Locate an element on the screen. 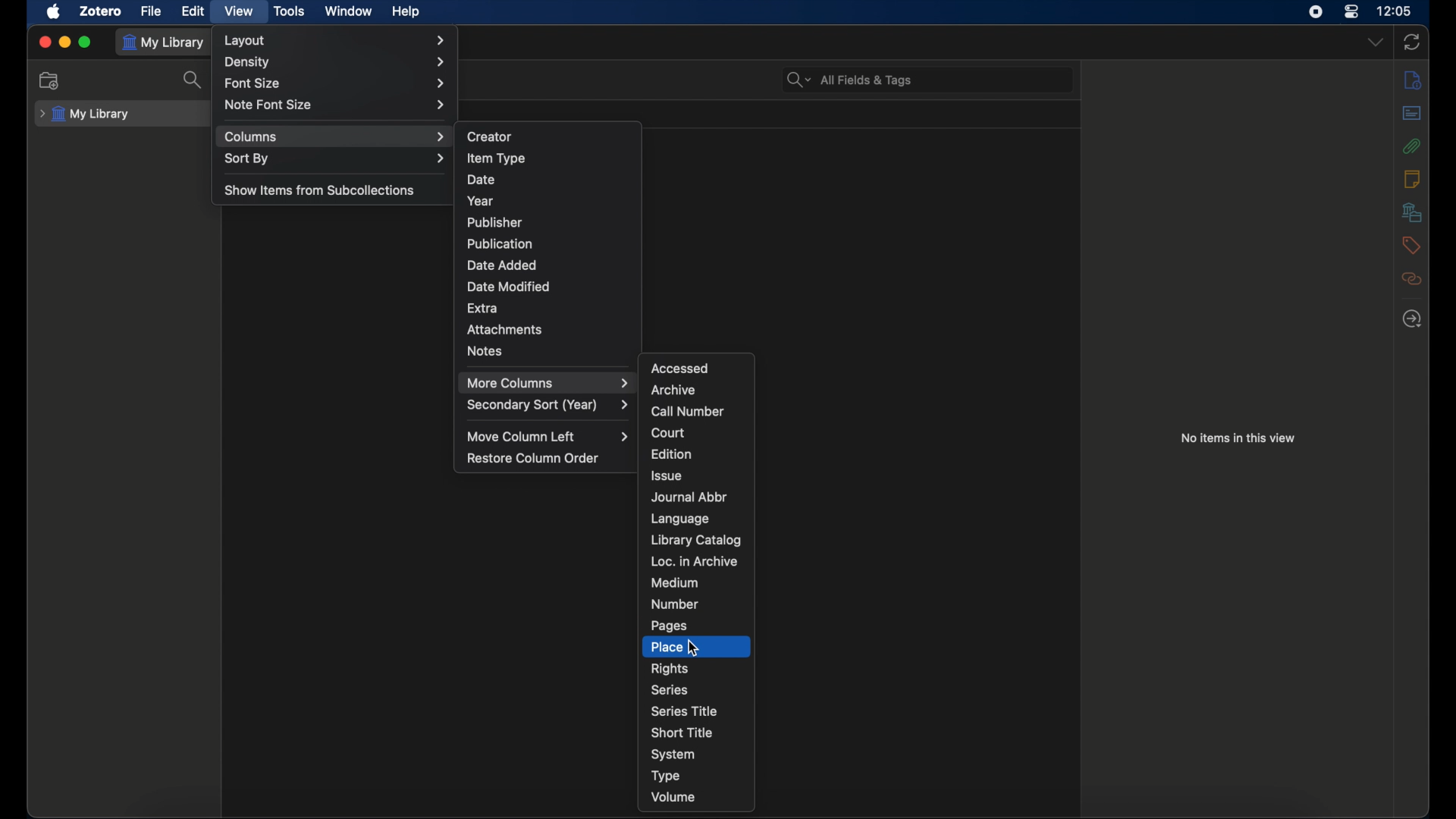 The height and width of the screenshot is (819, 1456). no items in this view is located at coordinates (1238, 438).